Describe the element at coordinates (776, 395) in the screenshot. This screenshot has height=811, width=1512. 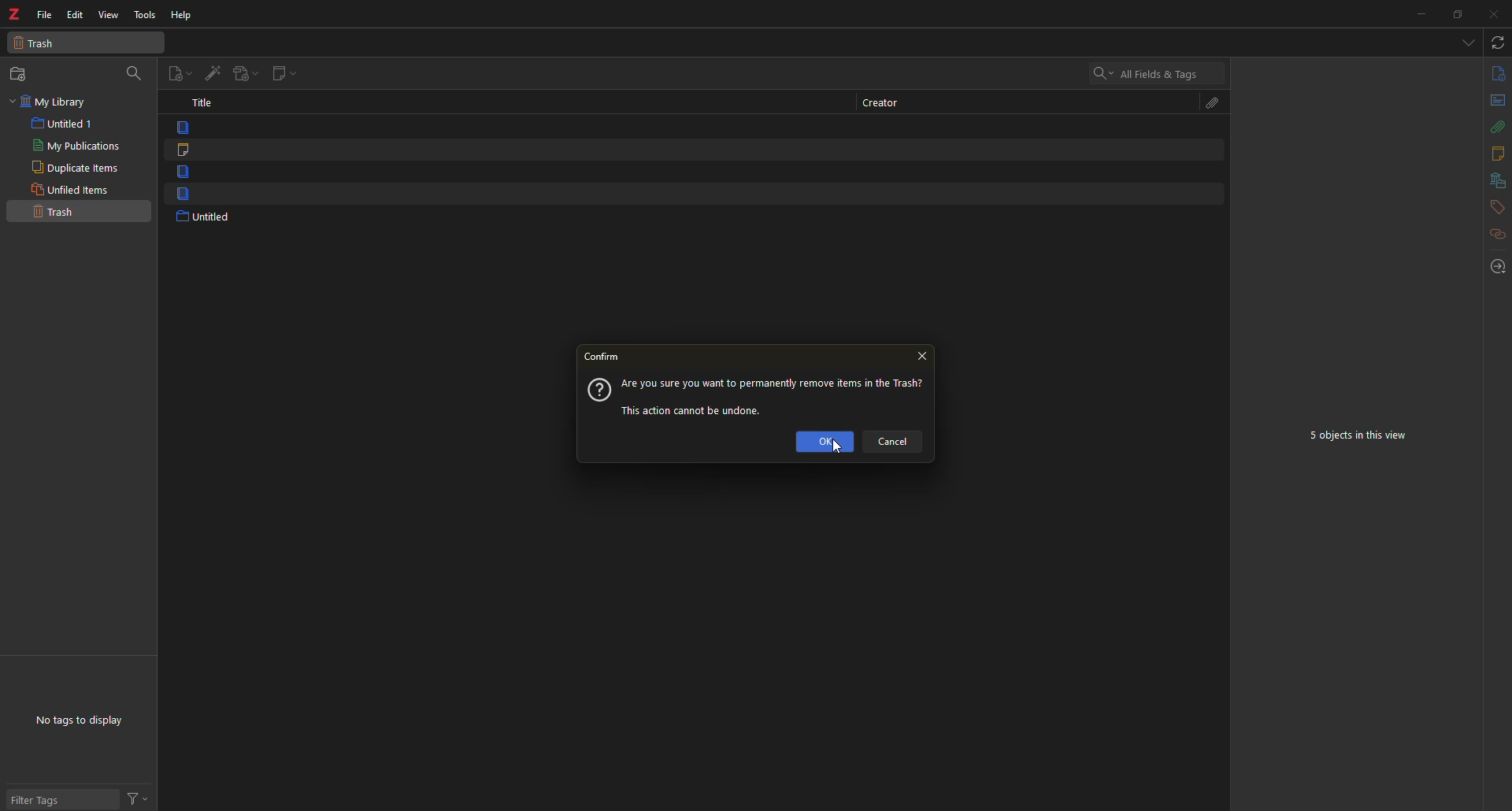
I see `message` at that location.